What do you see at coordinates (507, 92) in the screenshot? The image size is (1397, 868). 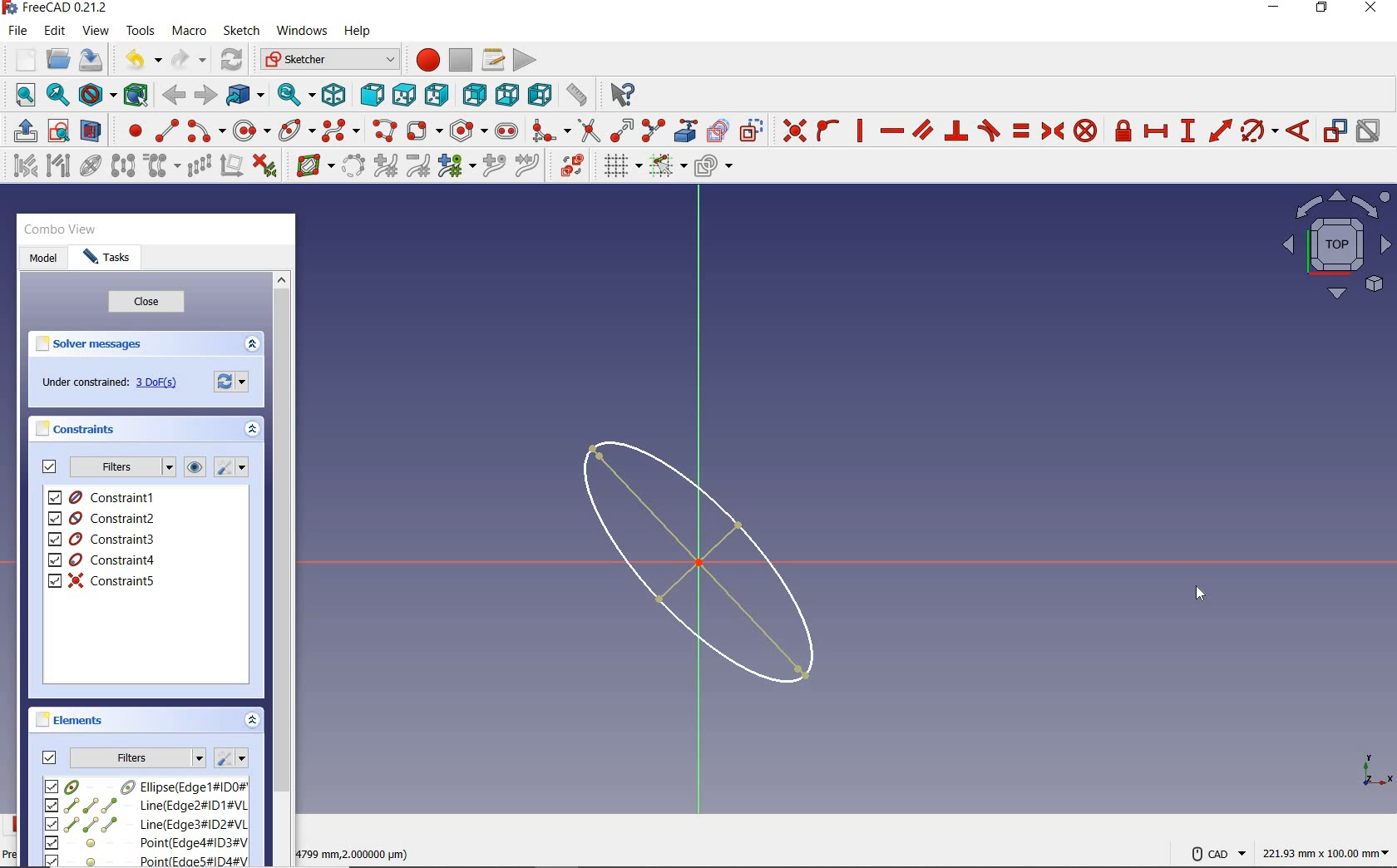 I see `bottom` at bounding box center [507, 92].